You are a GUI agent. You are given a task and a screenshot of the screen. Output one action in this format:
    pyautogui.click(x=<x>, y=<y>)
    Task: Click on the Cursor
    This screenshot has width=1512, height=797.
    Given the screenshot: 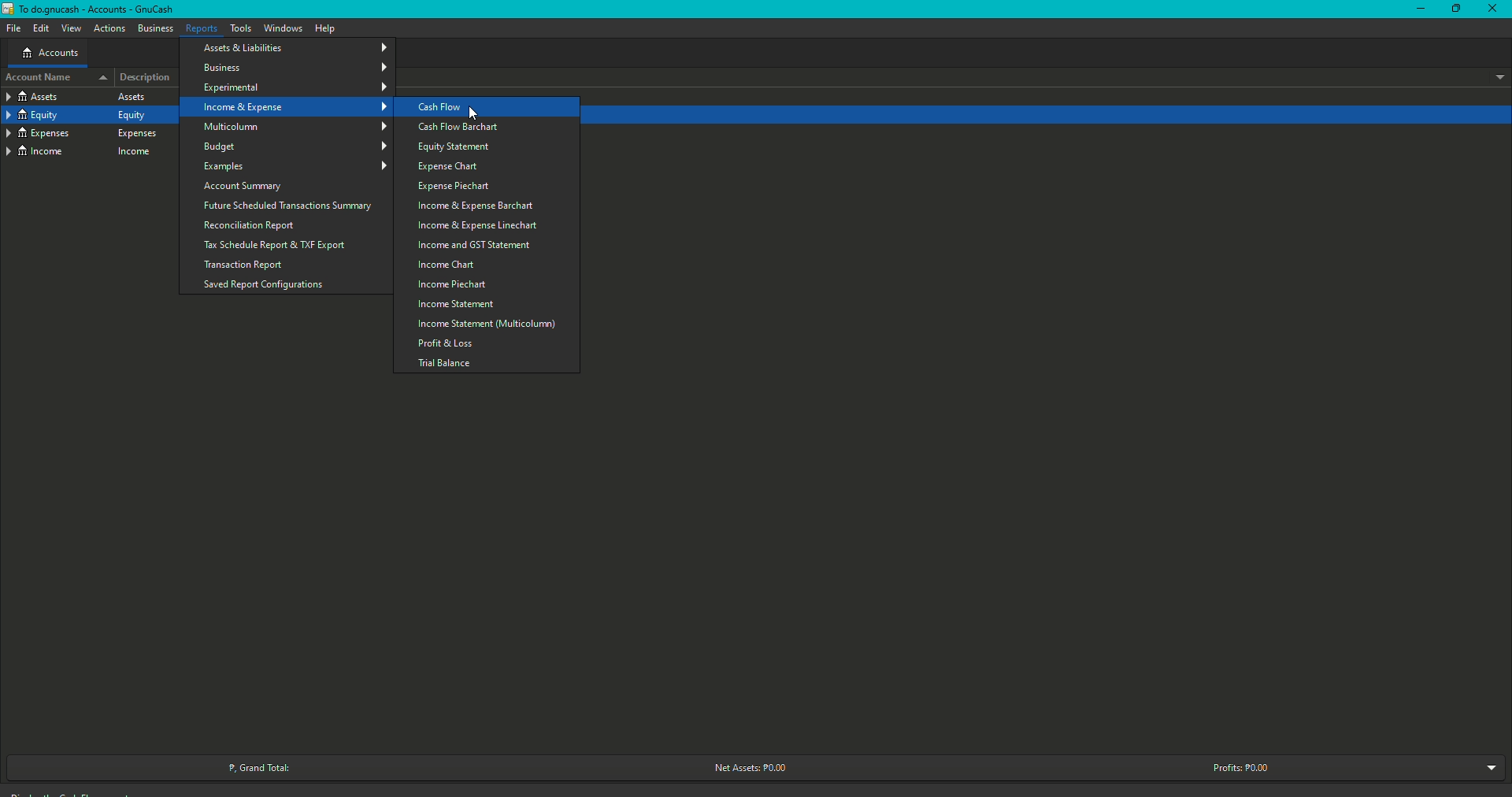 What is the action you would take?
    pyautogui.click(x=471, y=113)
    